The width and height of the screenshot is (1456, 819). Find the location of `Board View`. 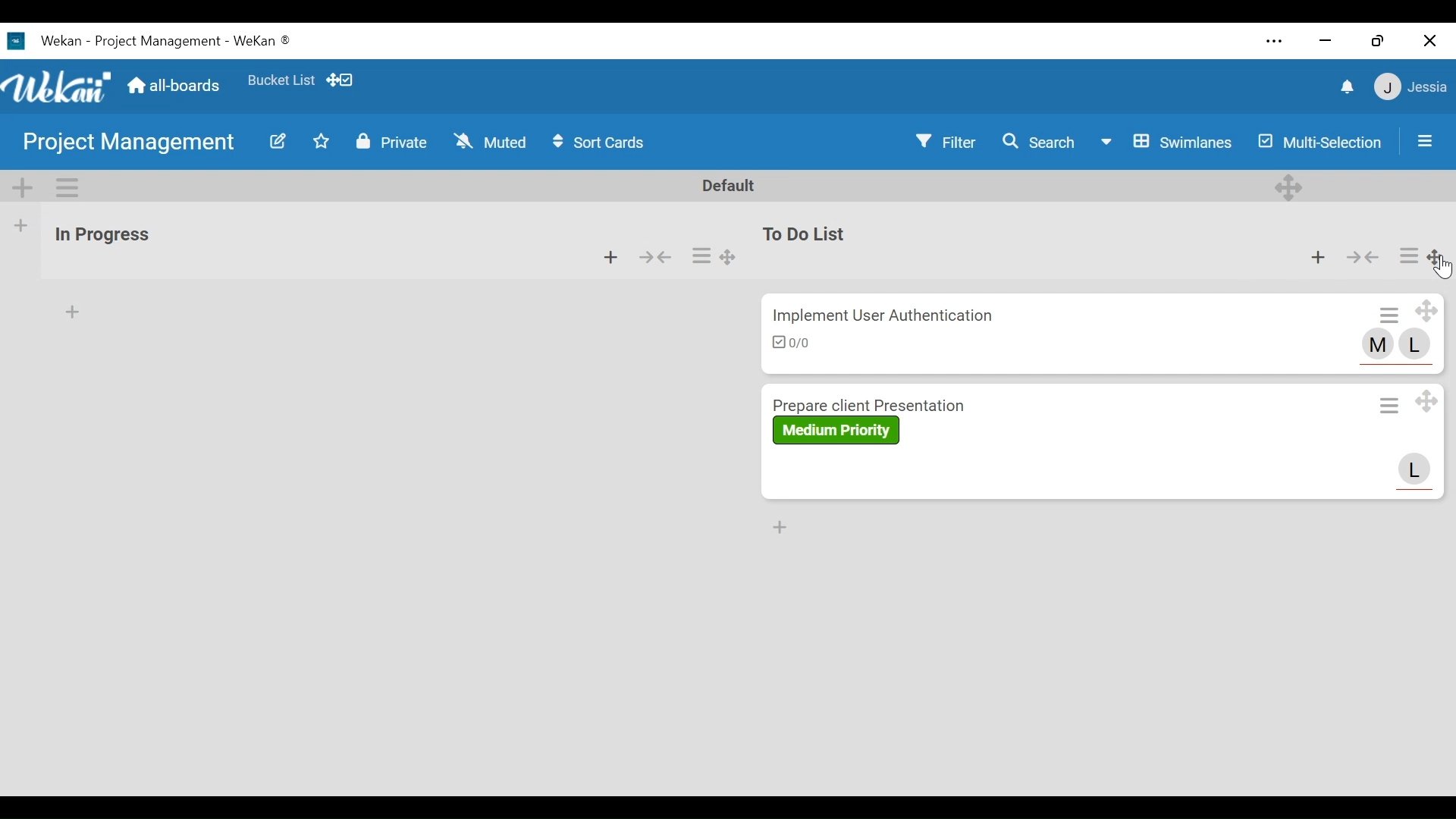

Board View is located at coordinates (1167, 142).